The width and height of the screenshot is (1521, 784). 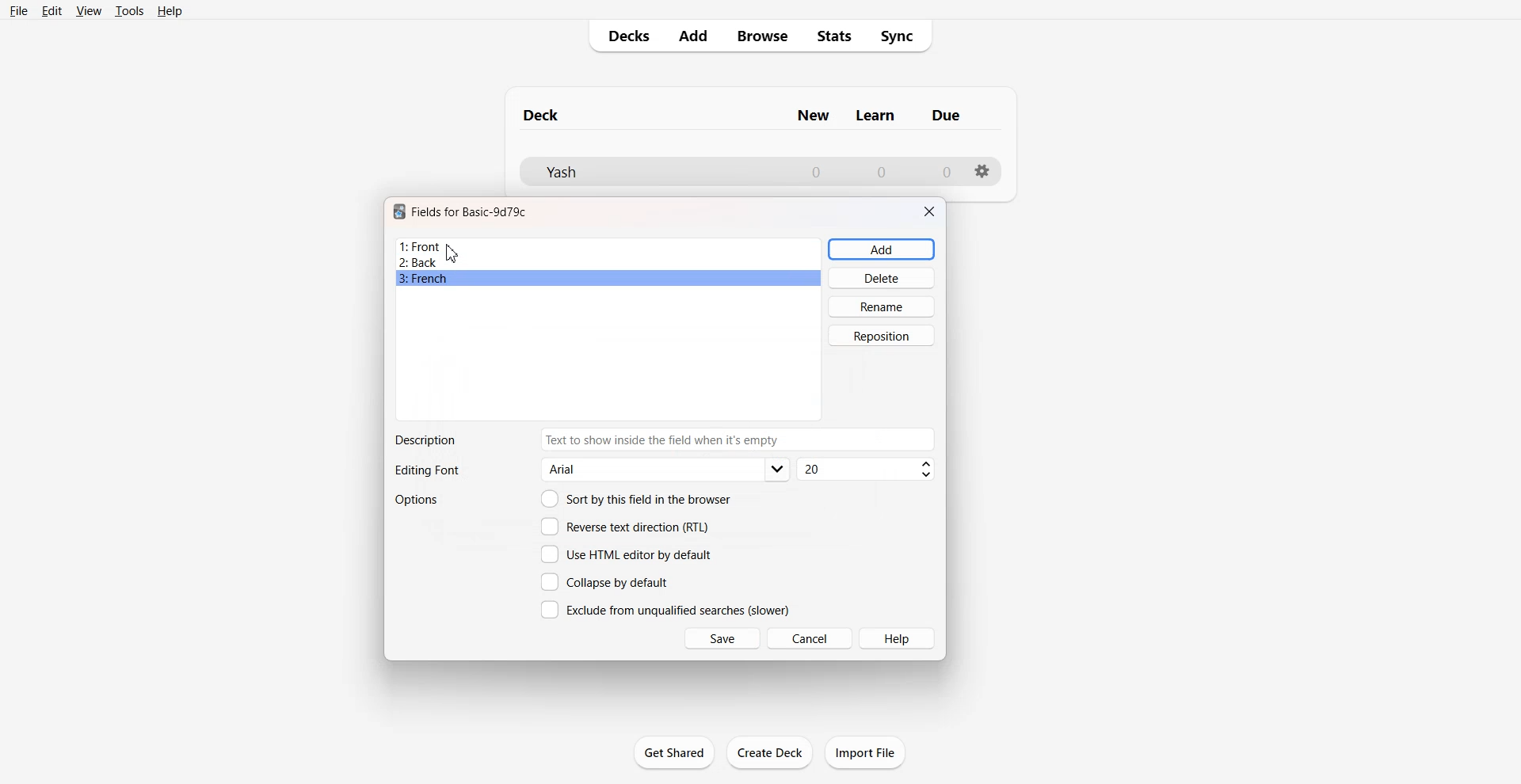 I want to click on Text, so click(x=426, y=471).